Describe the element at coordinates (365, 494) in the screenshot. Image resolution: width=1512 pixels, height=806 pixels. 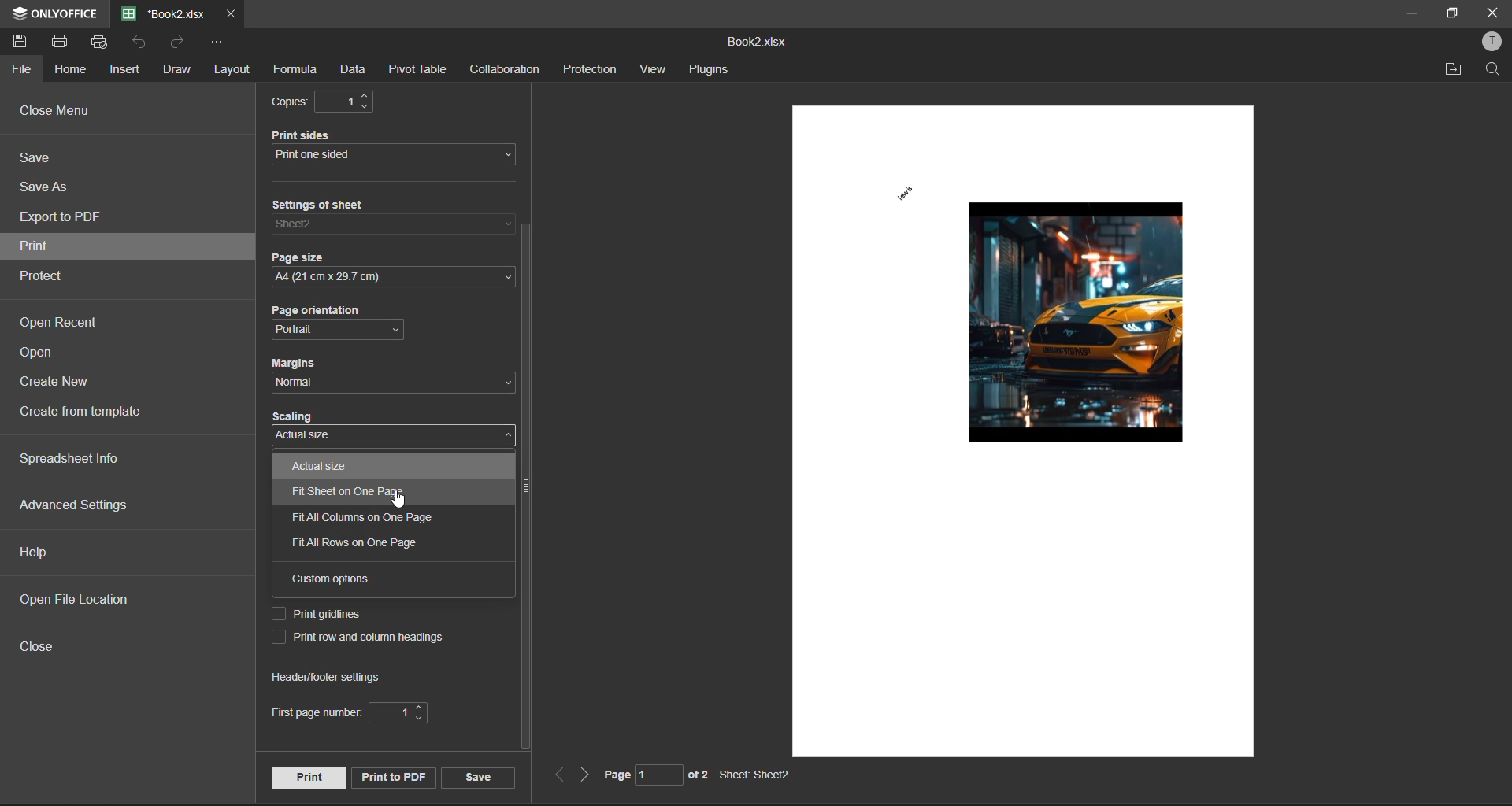
I see `fit sheet in one page` at that location.